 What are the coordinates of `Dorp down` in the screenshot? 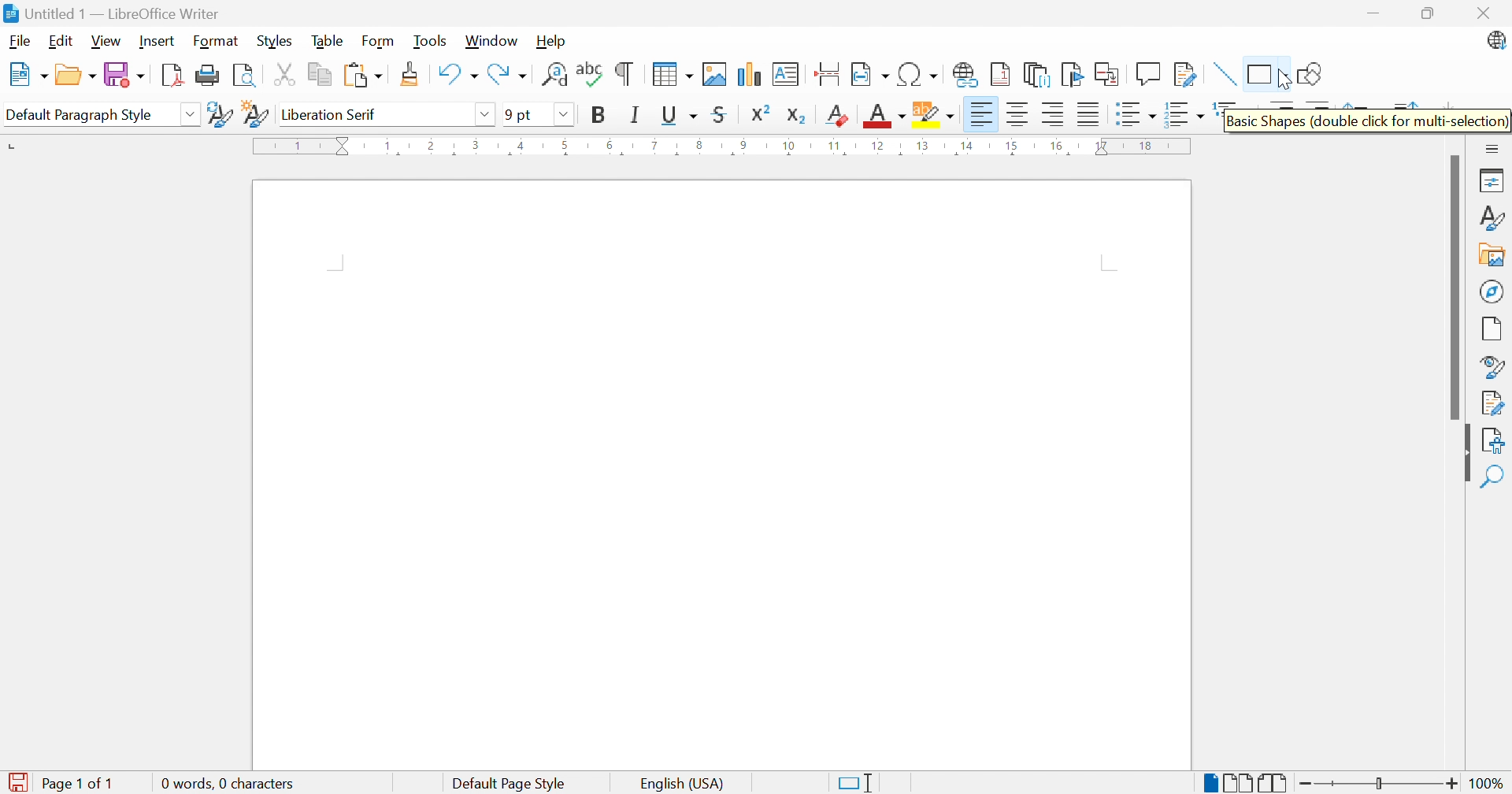 It's located at (487, 113).